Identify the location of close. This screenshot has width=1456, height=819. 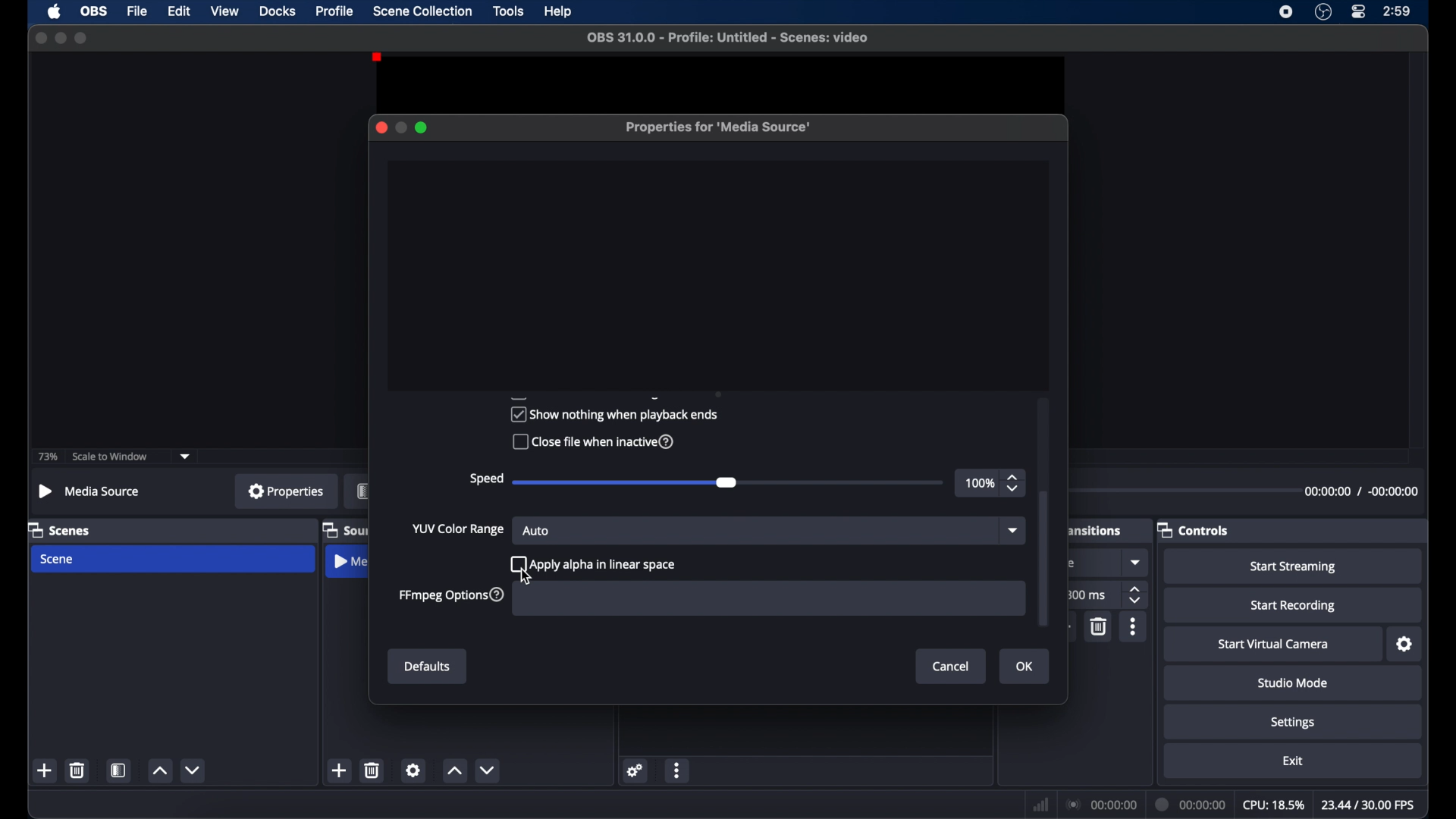
(40, 38).